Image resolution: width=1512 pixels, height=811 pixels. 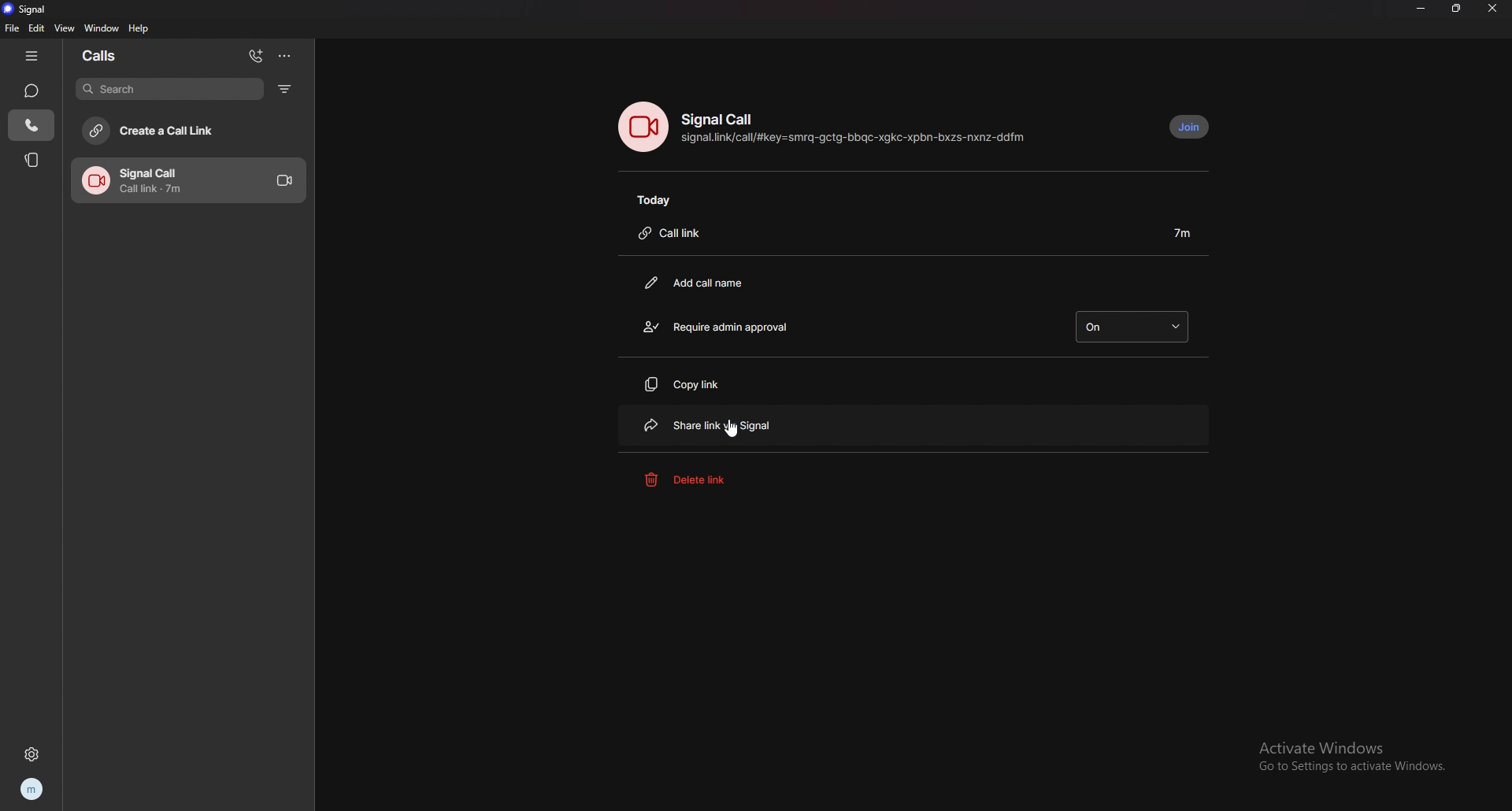 I want to click on search, so click(x=169, y=88).